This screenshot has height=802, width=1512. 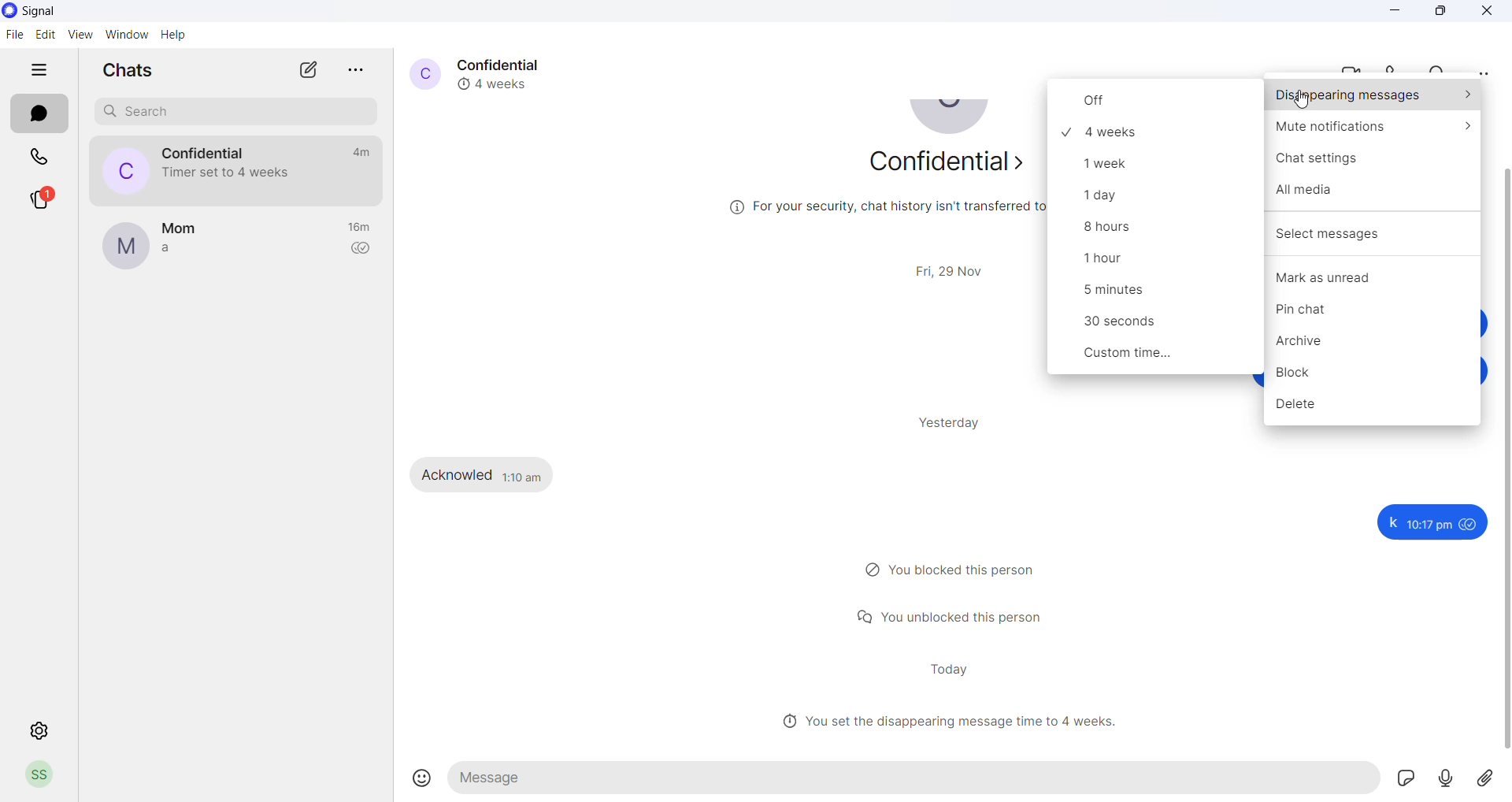 I want to click on mute notifications, so click(x=1373, y=131).